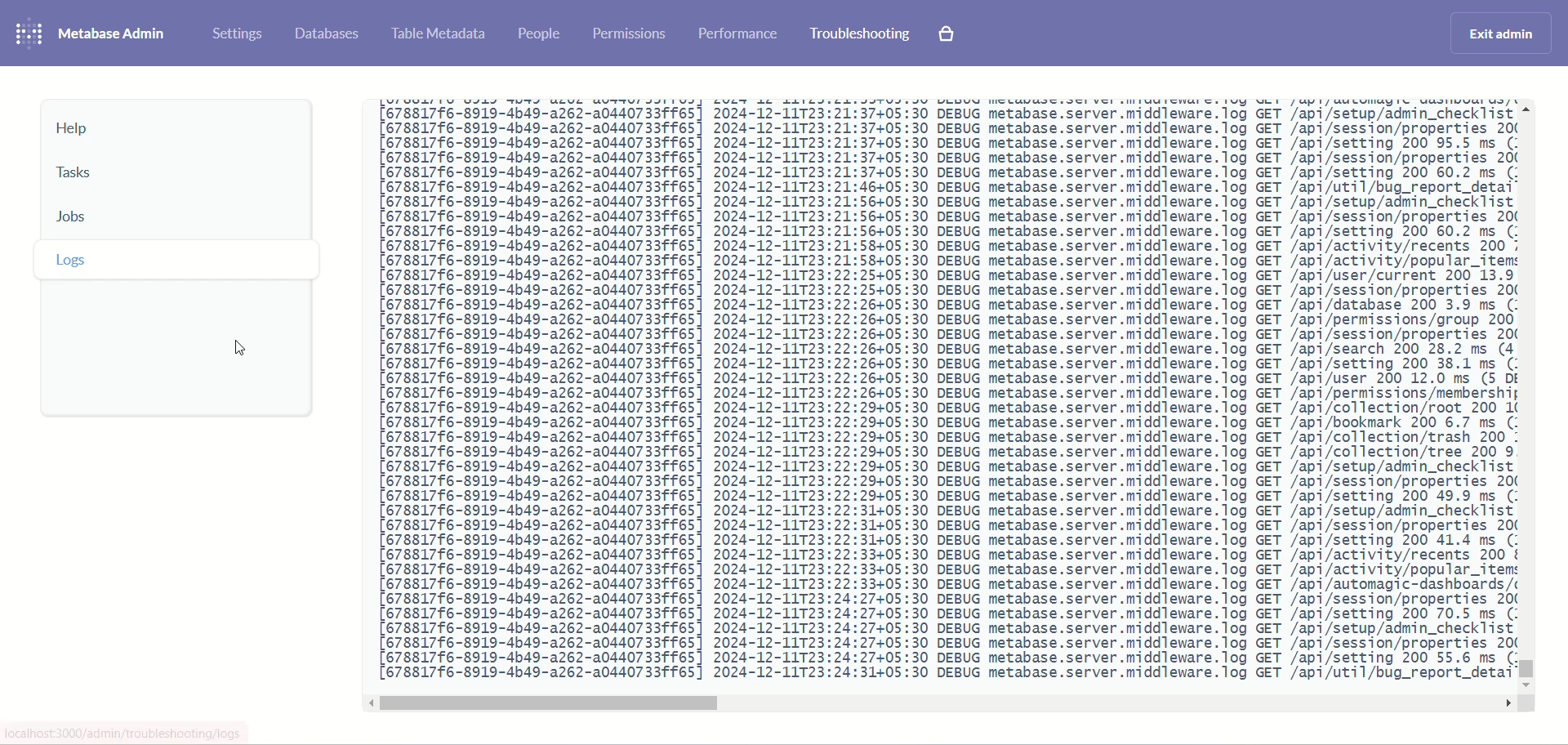 This screenshot has width=1568, height=745. What do you see at coordinates (862, 35) in the screenshot?
I see `troubleshooting` at bounding box center [862, 35].